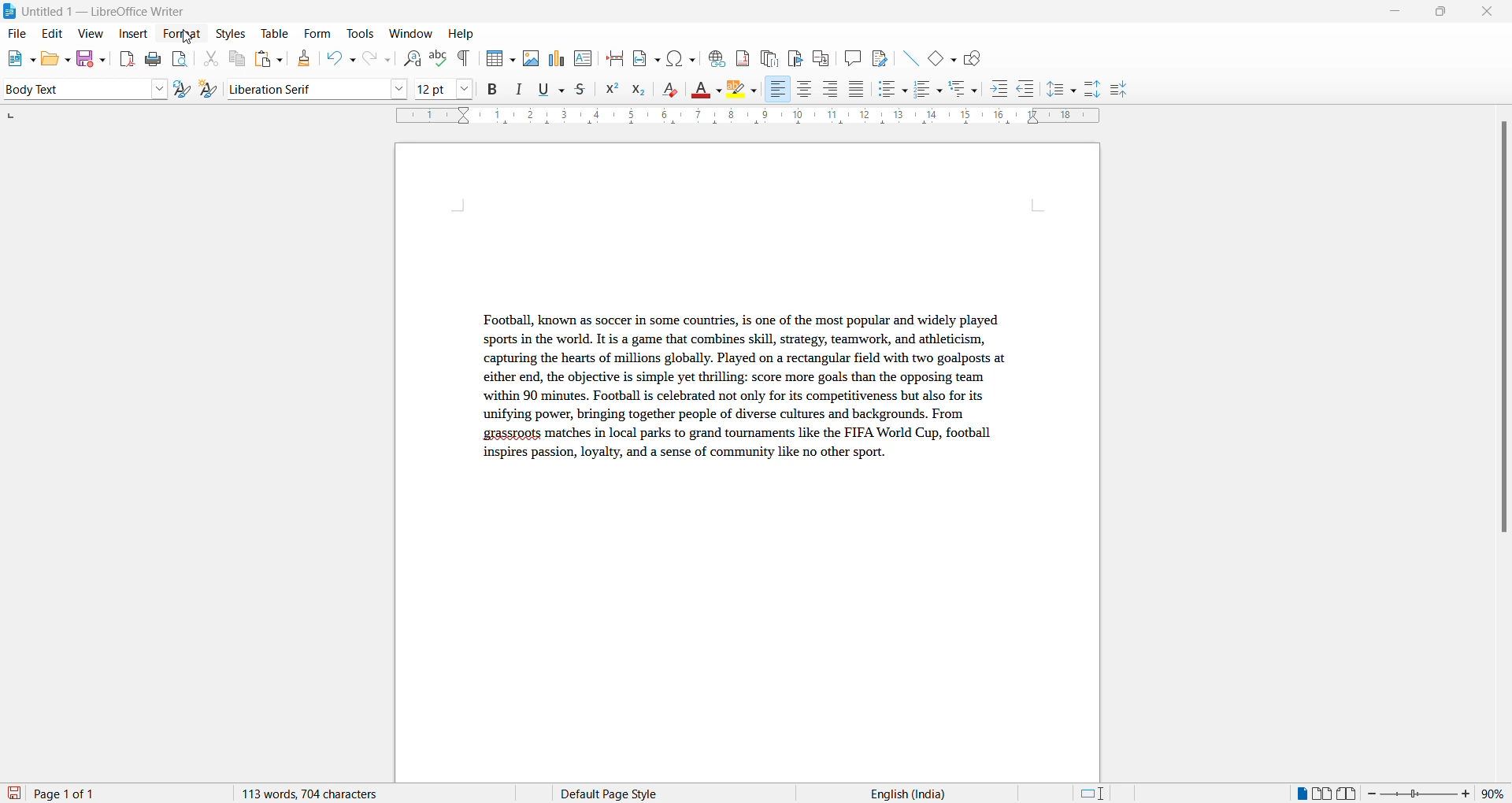  What do you see at coordinates (584, 57) in the screenshot?
I see `insert text` at bounding box center [584, 57].